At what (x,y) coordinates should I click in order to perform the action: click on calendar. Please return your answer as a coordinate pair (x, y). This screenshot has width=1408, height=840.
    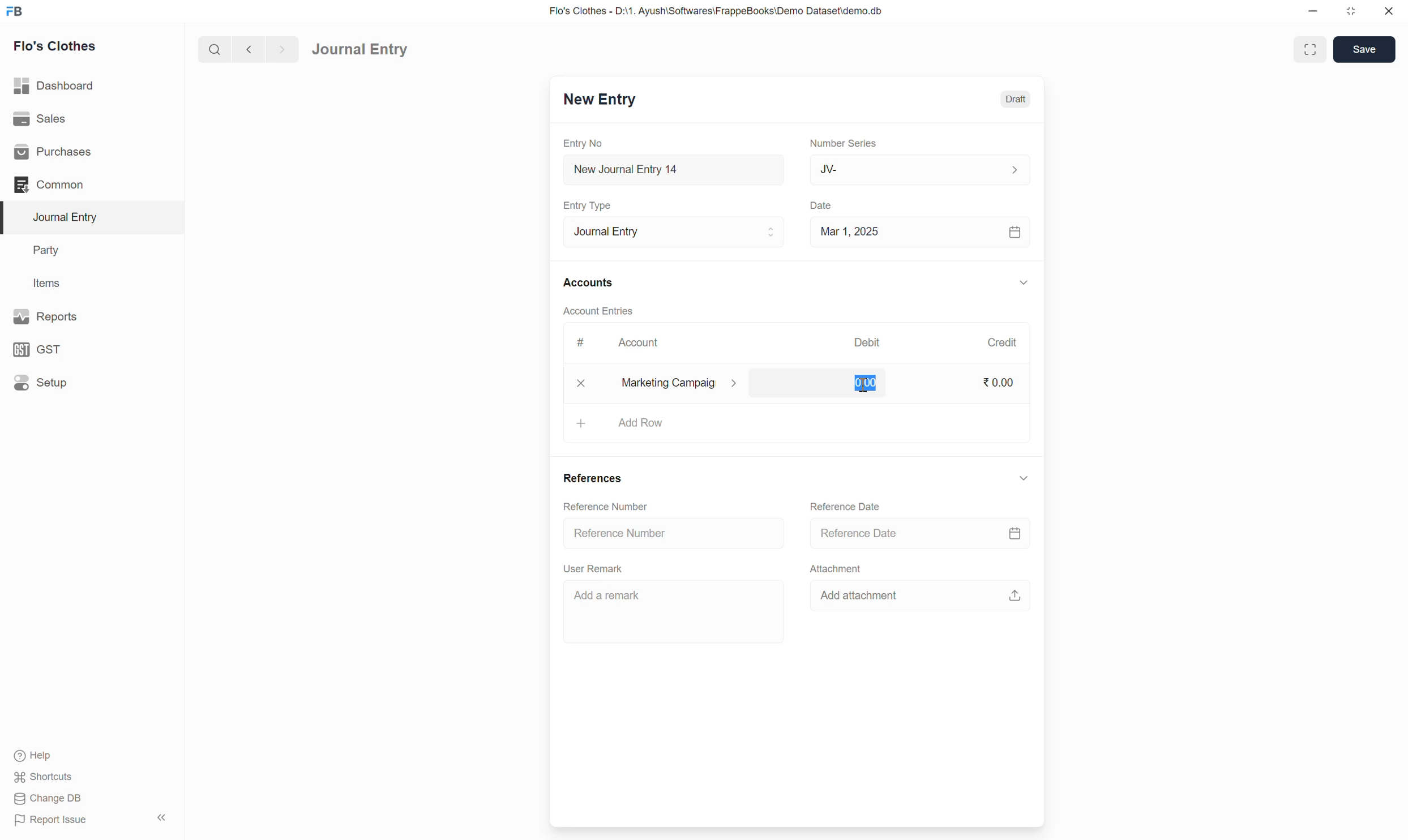
    Looking at the image, I should click on (1015, 533).